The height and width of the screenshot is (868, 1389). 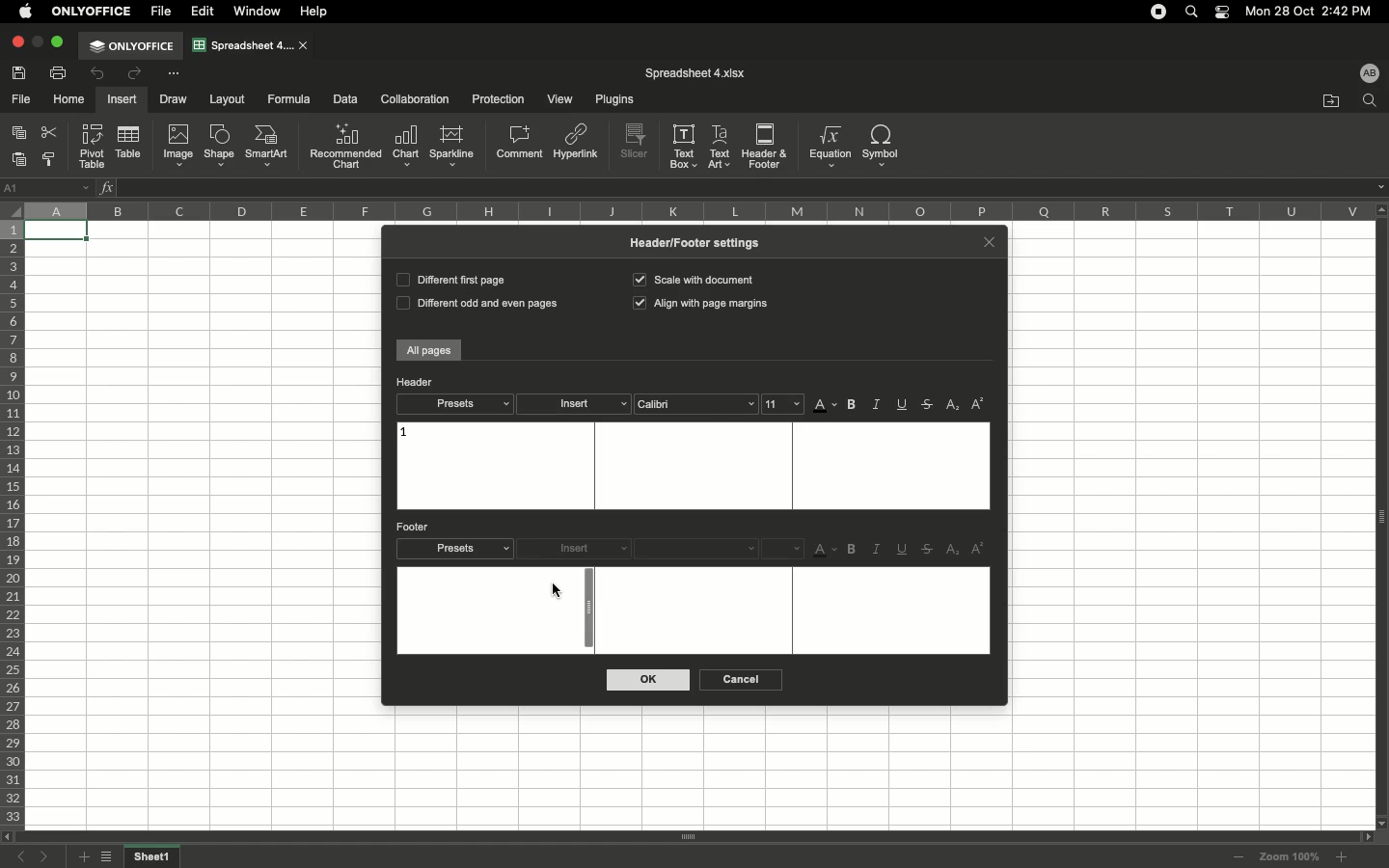 I want to click on Strikethrough, so click(x=930, y=404).